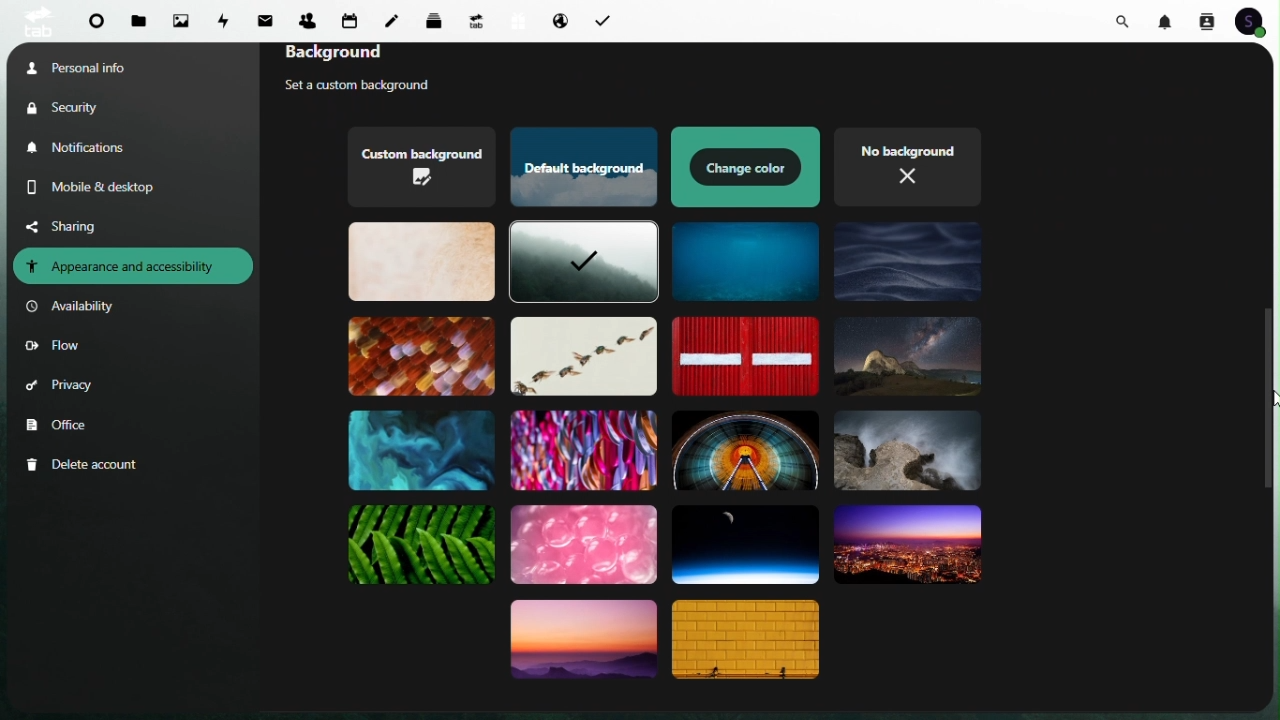 The image size is (1280, 720). What do you see at coordinates (75, 307) in the screenshot?
I see `availability` at bounding box center [75, 307].